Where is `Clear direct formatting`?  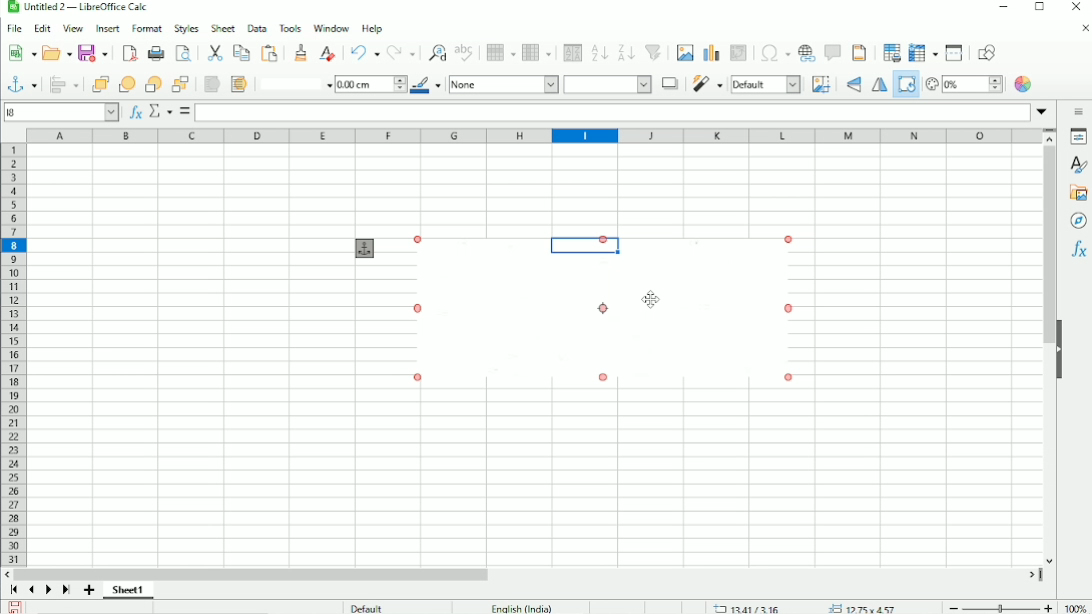 Clear direct formatting is located at coordinates (326, 53).